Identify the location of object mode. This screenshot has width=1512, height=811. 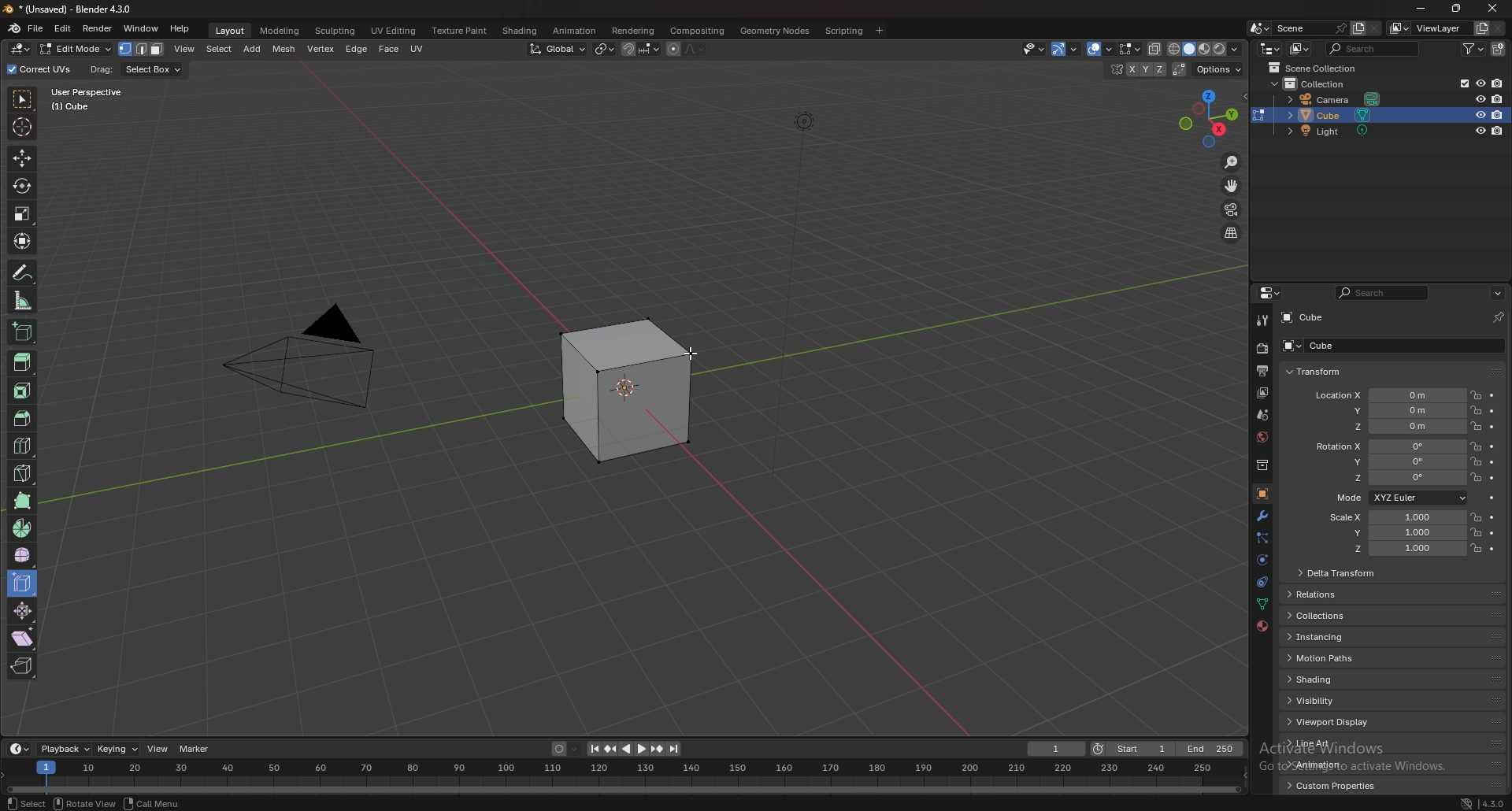
(72, 49).